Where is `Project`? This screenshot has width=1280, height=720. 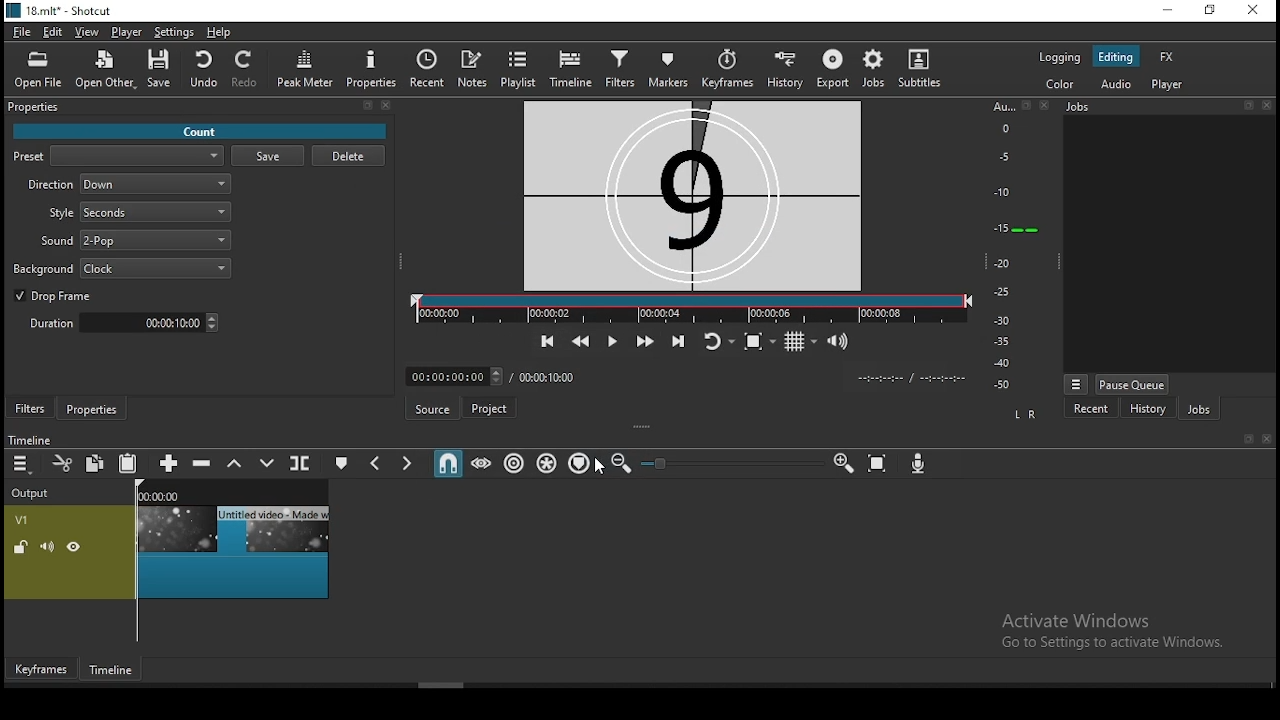 Project is located at coordinates (488, 406).